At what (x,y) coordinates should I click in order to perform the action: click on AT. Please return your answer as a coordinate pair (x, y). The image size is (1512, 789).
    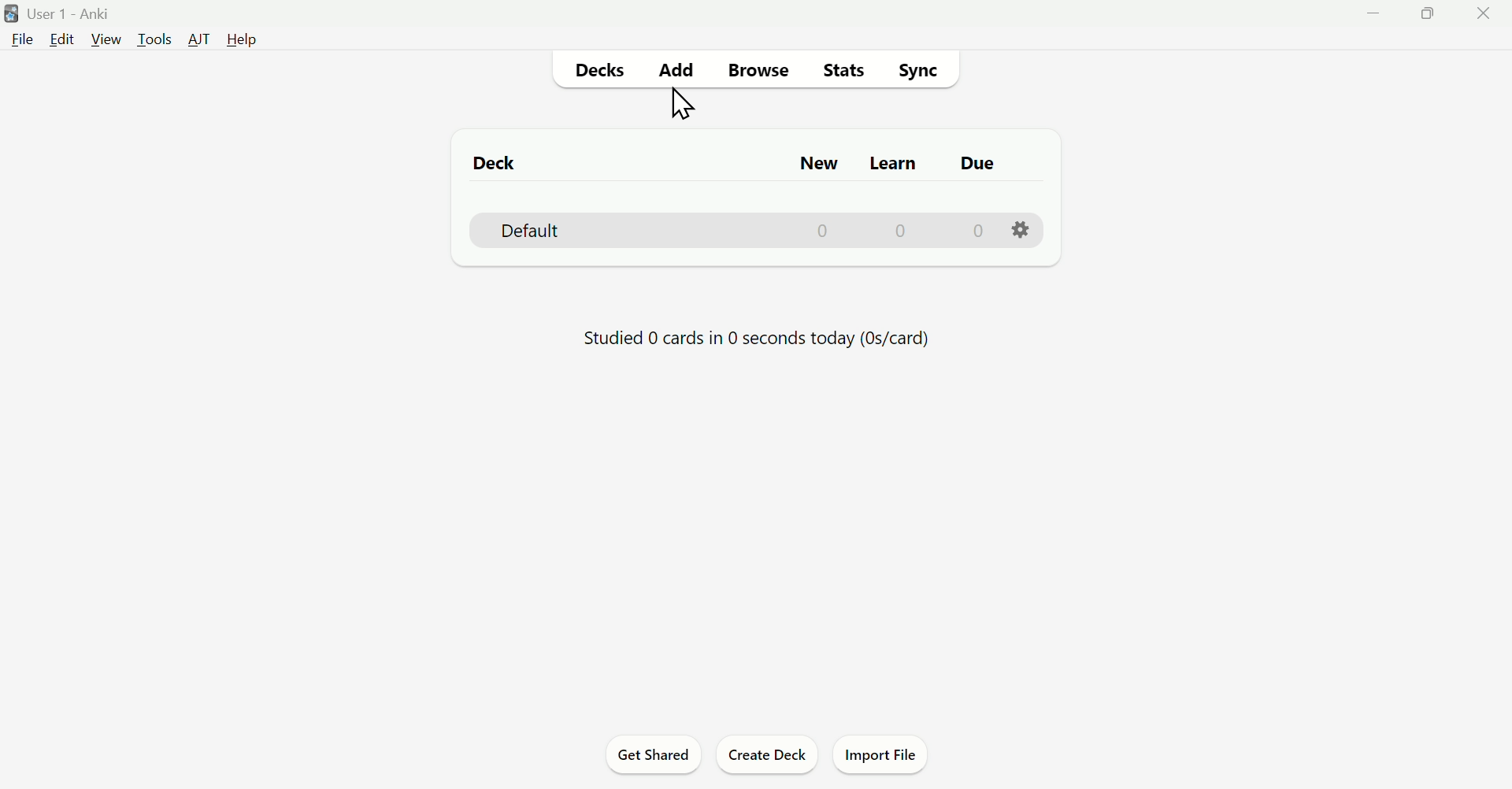
    Looking at the image, I should click on (193, 38).